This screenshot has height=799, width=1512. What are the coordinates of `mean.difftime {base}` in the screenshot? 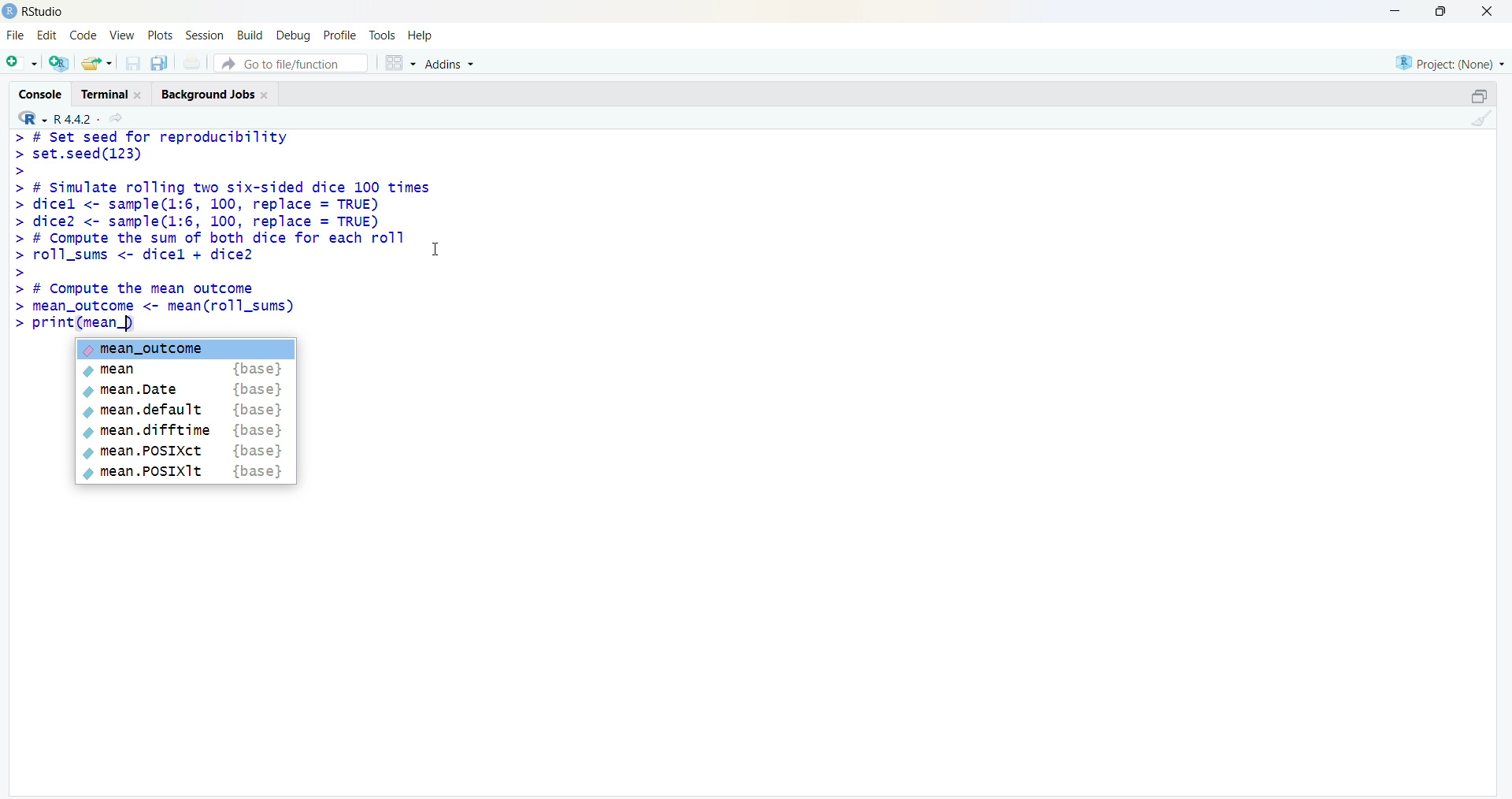 It's located at (183, 432).